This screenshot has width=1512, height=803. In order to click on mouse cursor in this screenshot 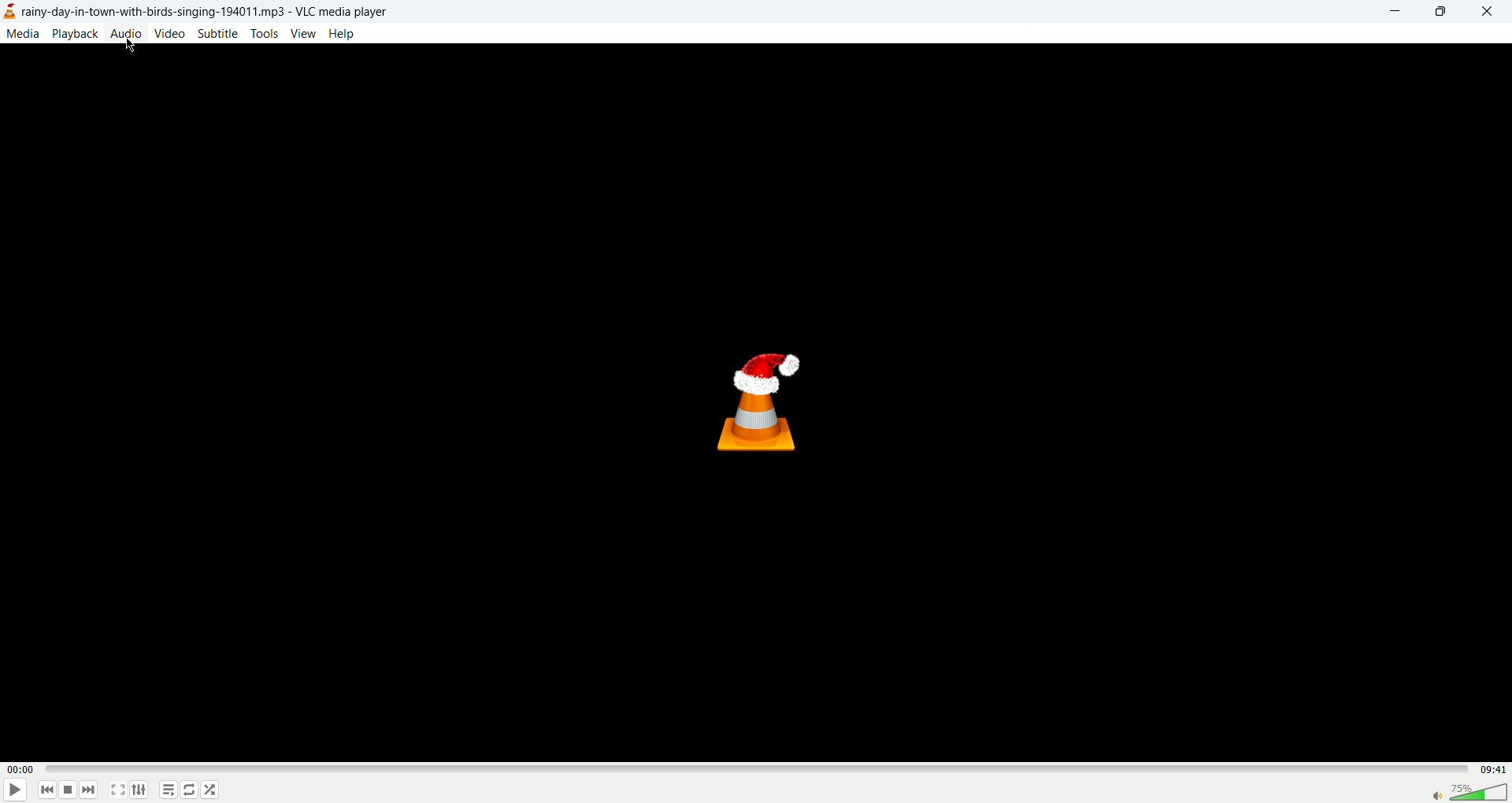, I will do `click(133, 47)`.